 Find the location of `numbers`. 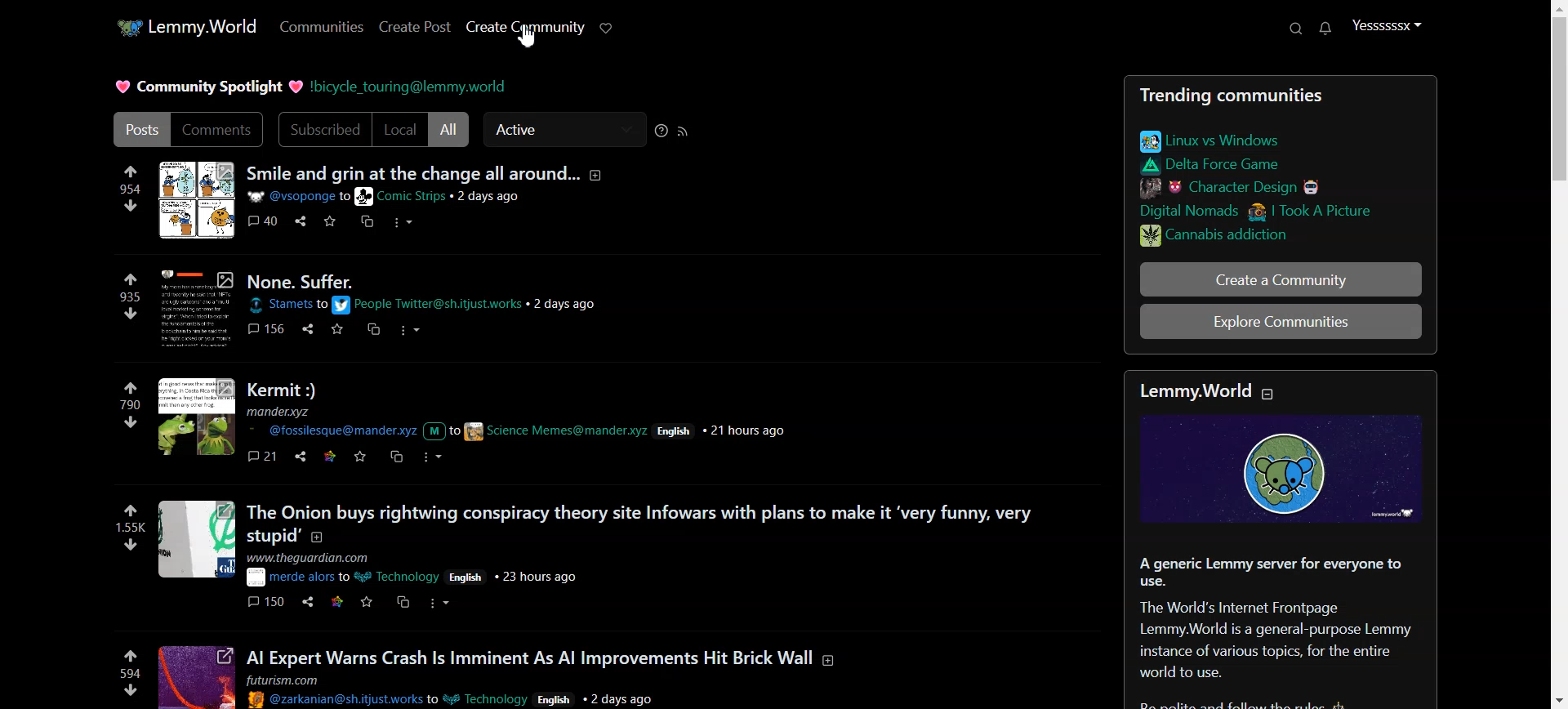

numbers is located at coordinates (131, 297).